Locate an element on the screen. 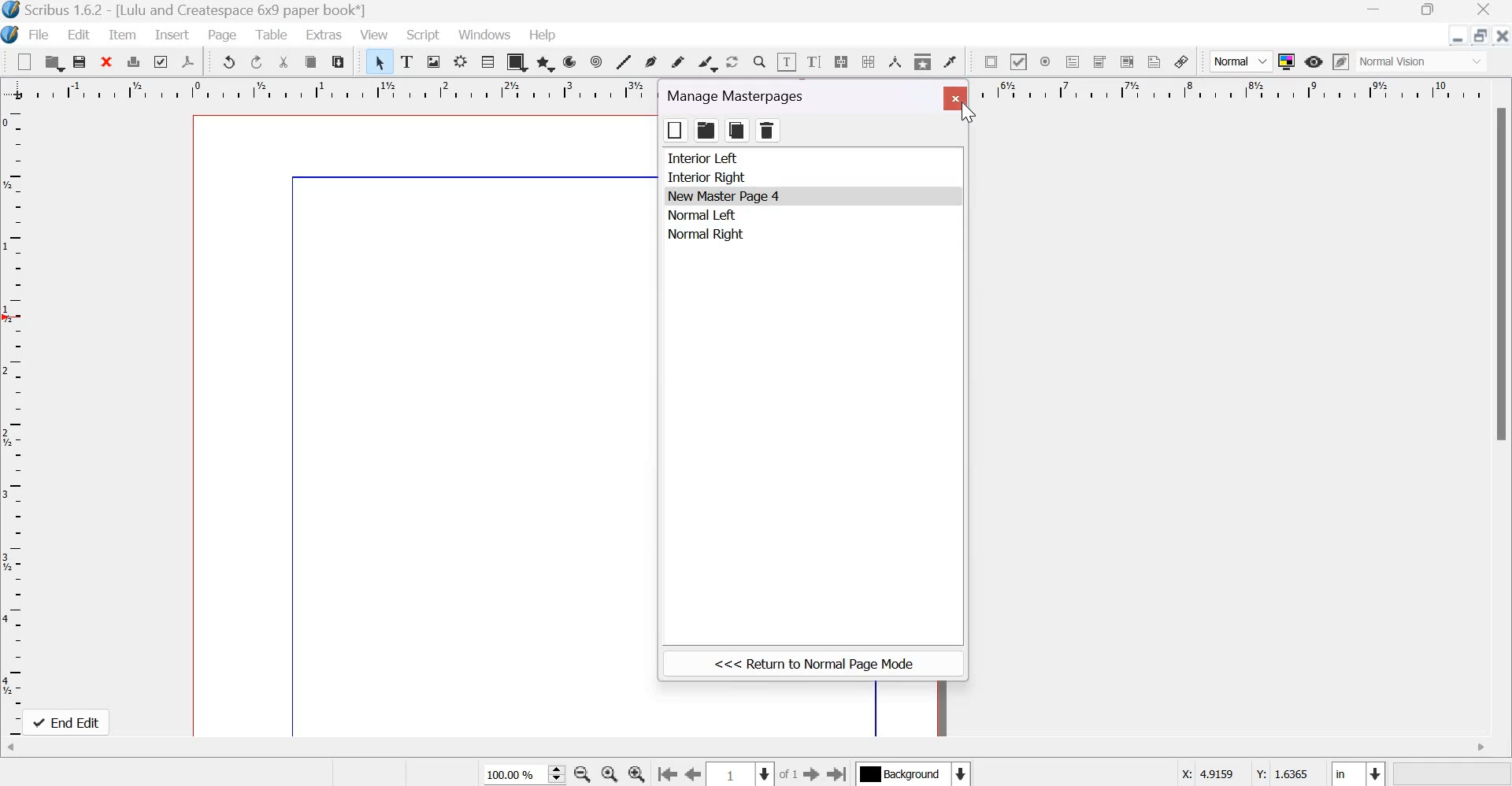 Image resolution: width=1512 pixels, height=786 pixels. Help is located at coordinates (544, 34).